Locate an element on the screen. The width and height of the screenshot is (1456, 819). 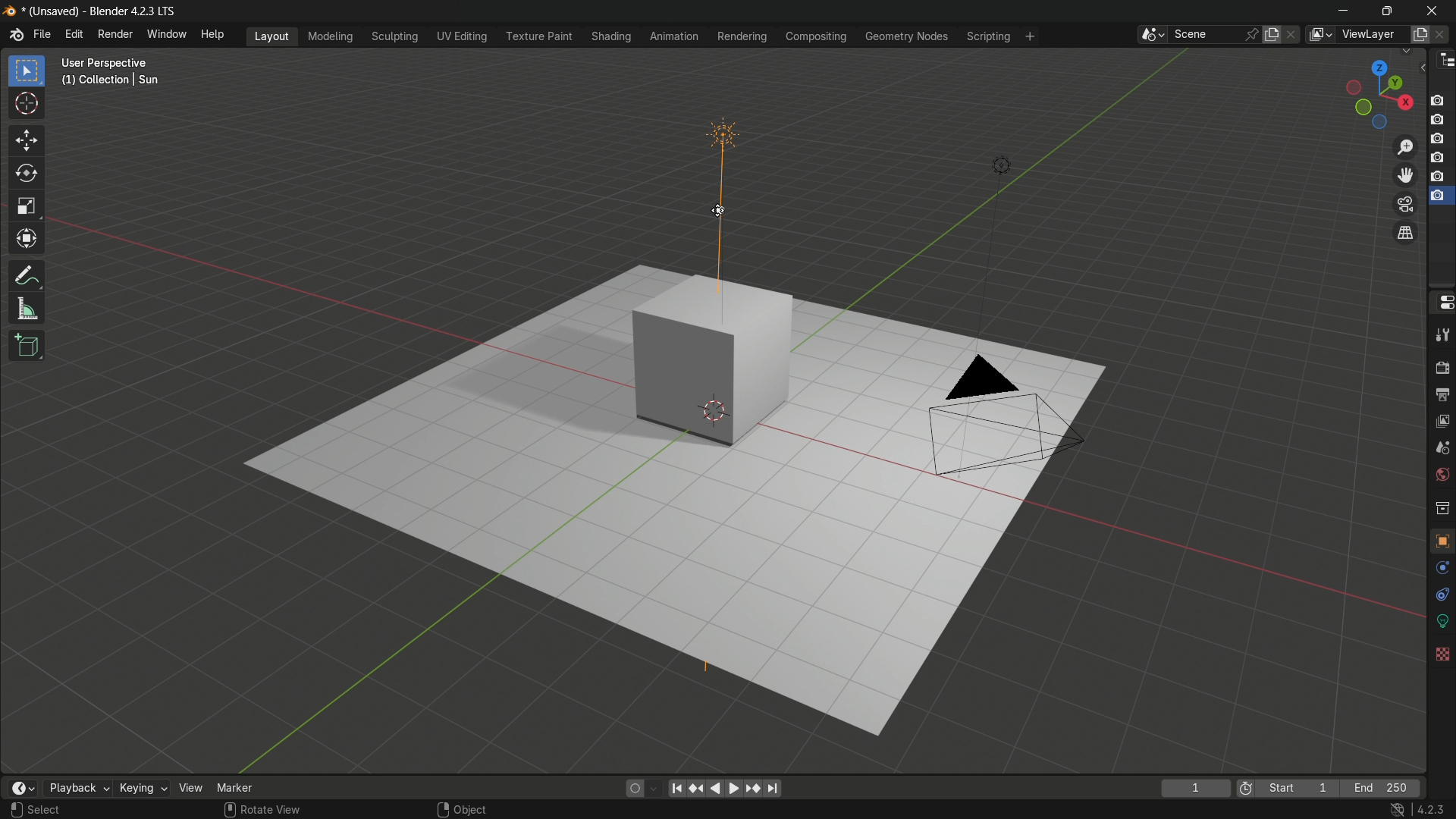
render is located at coordinates (1442, 366).